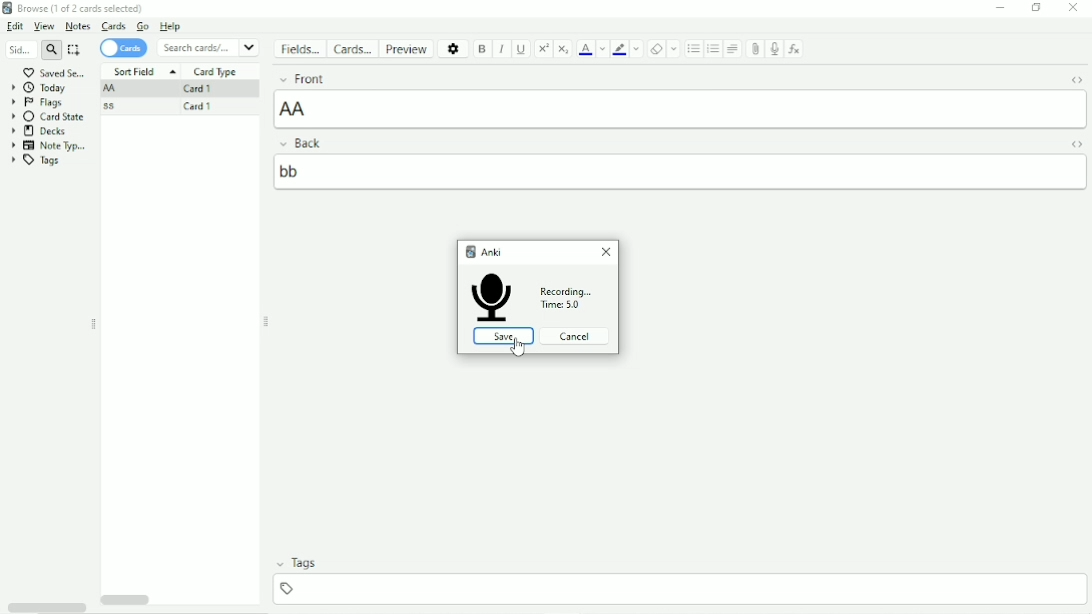 The height and width of the screenshot is (614, 1092). Describe the element at coordinates (94, 325) in the screenshot. I see `Resize` at that location.